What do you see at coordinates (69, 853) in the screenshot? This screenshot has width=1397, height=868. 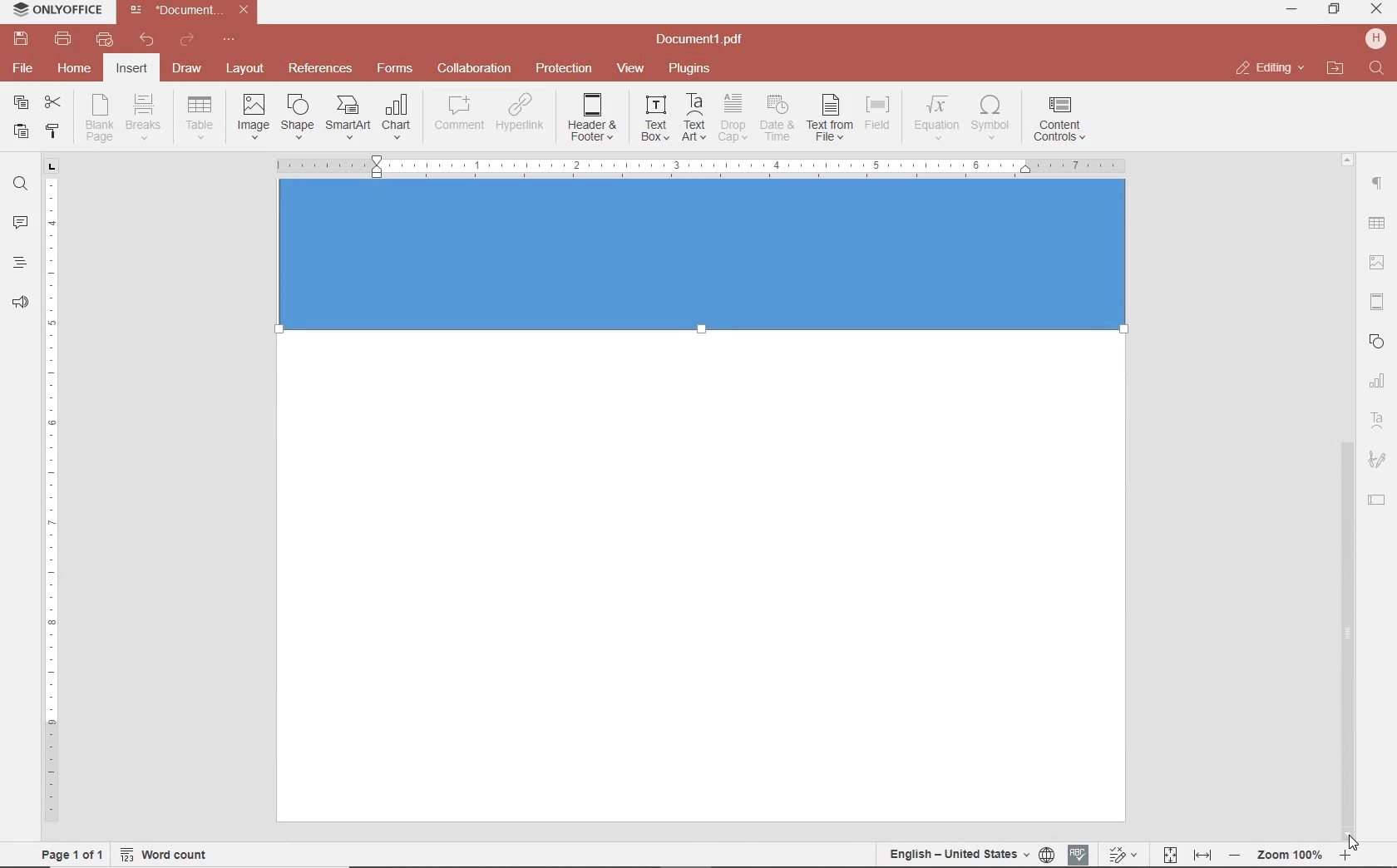 I see `page 1 of 1` at bounding box center [69, 853].